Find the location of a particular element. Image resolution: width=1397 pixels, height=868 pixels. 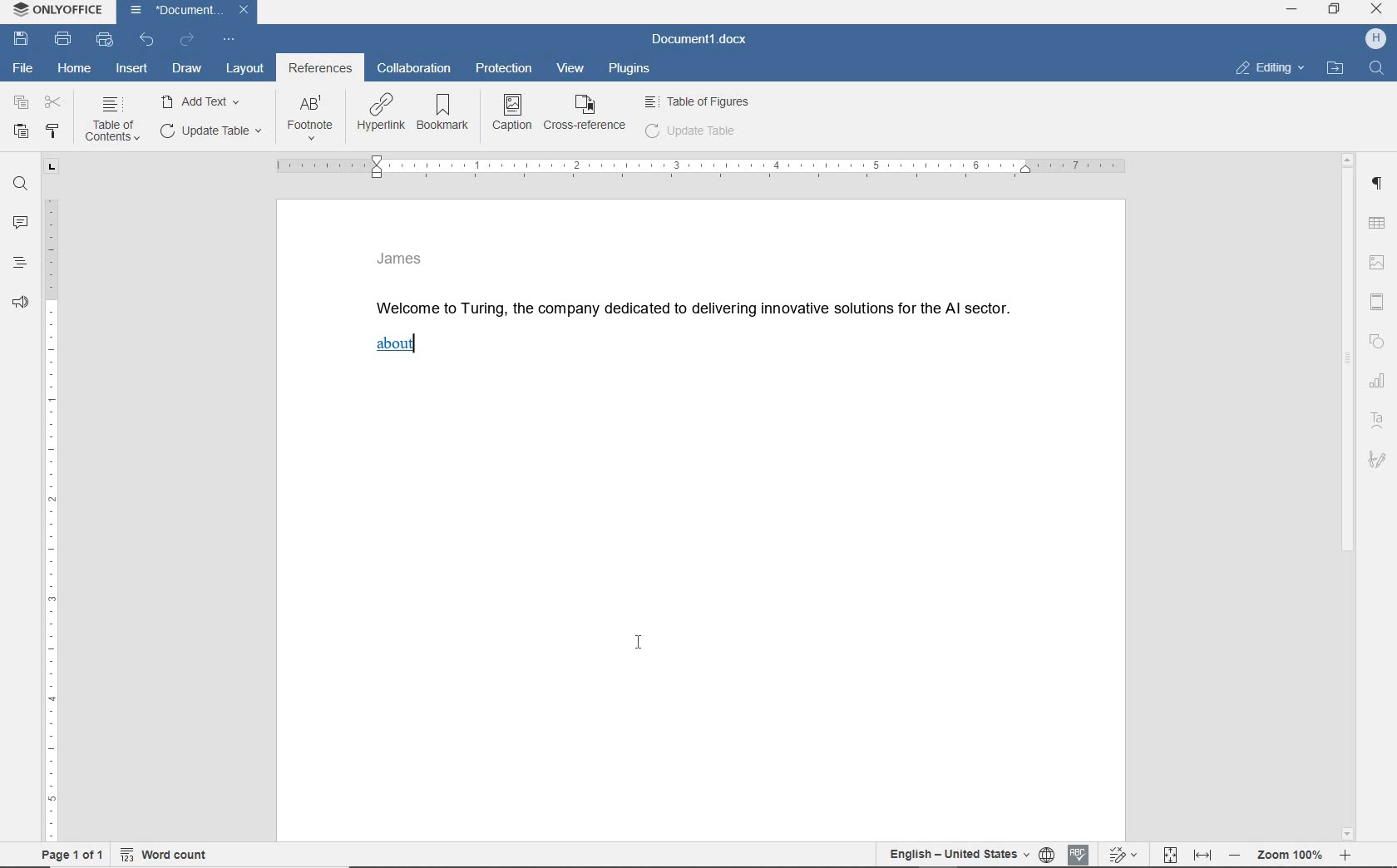

home is located at coordinates (74, 69).